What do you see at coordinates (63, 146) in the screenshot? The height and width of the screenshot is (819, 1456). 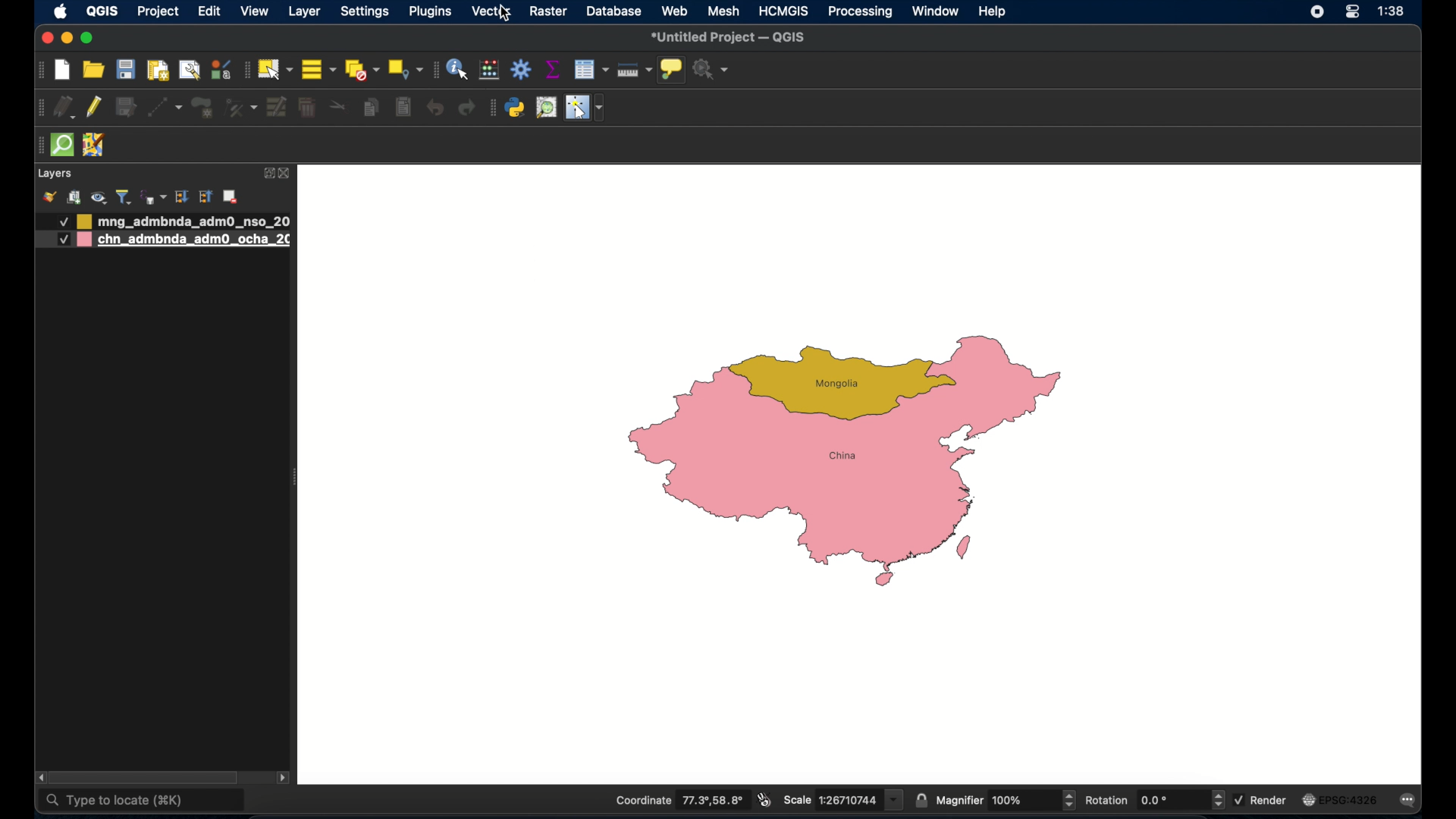 I see `quick osm` at bounding box center [63, 146].